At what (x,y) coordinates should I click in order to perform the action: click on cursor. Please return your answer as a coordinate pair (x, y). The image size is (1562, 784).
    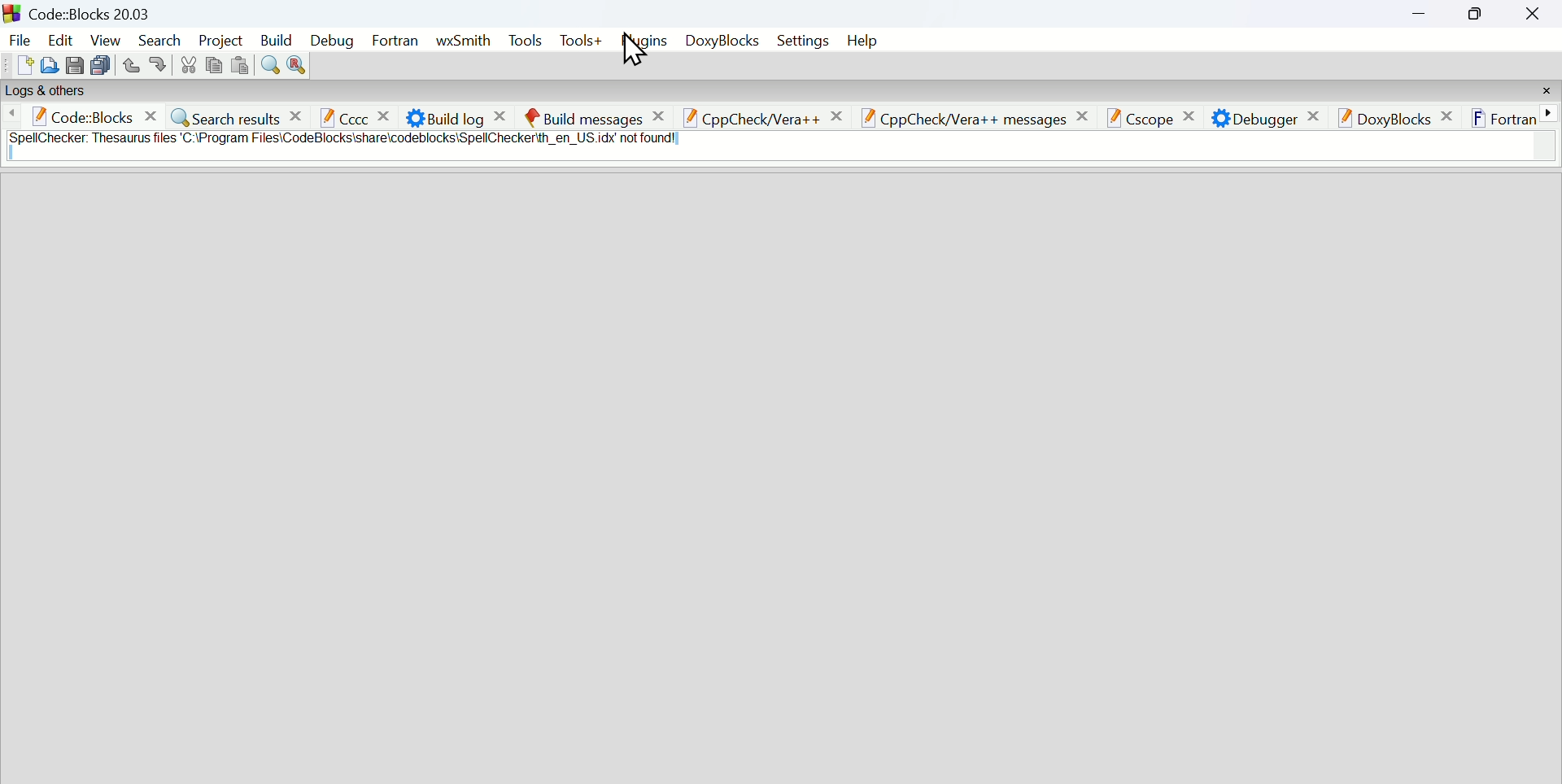
    Looking at the image, I should click on (635, 50).